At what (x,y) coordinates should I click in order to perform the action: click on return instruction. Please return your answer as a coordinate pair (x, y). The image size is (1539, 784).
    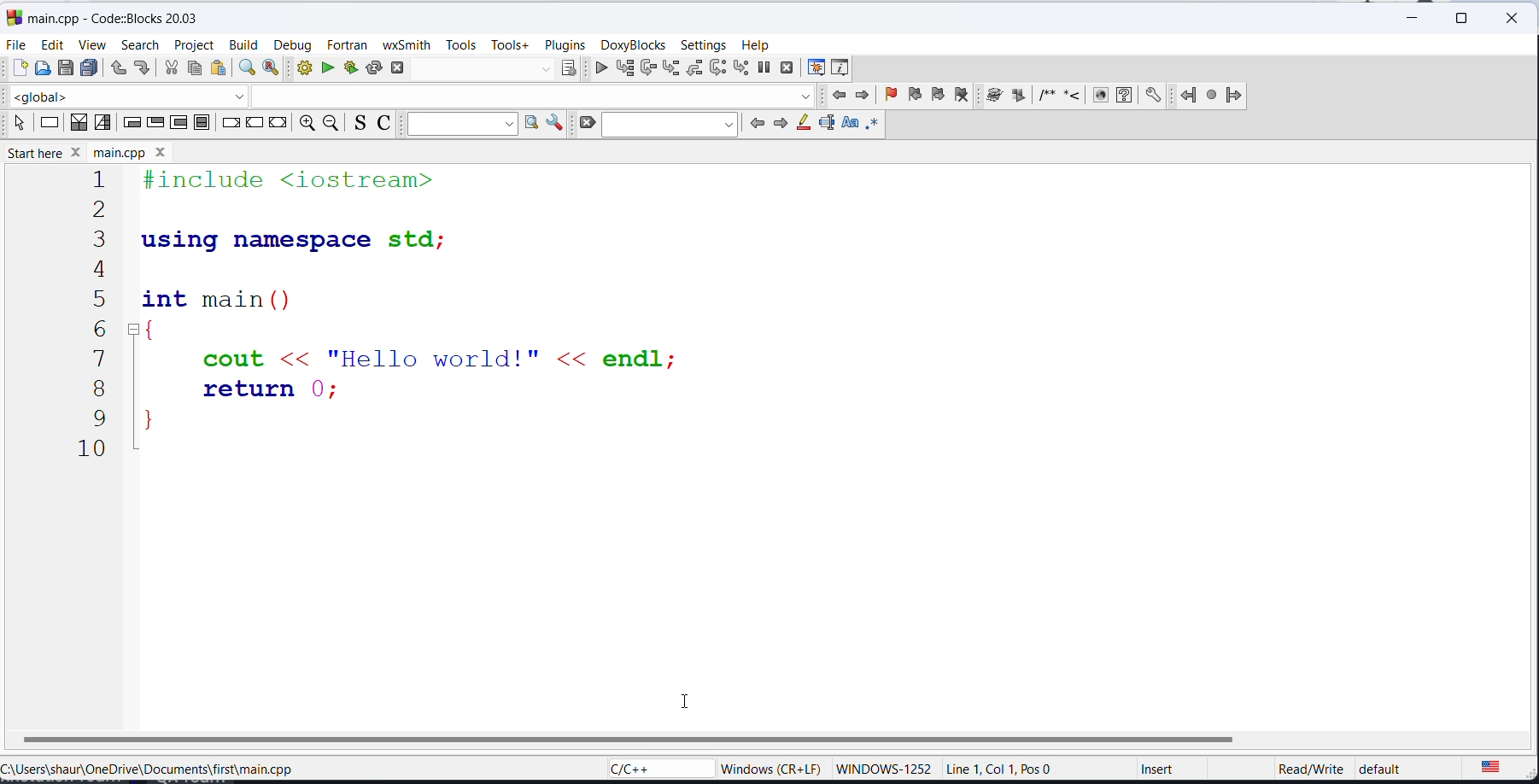
    Looking at the image, I should click on (277, 124).